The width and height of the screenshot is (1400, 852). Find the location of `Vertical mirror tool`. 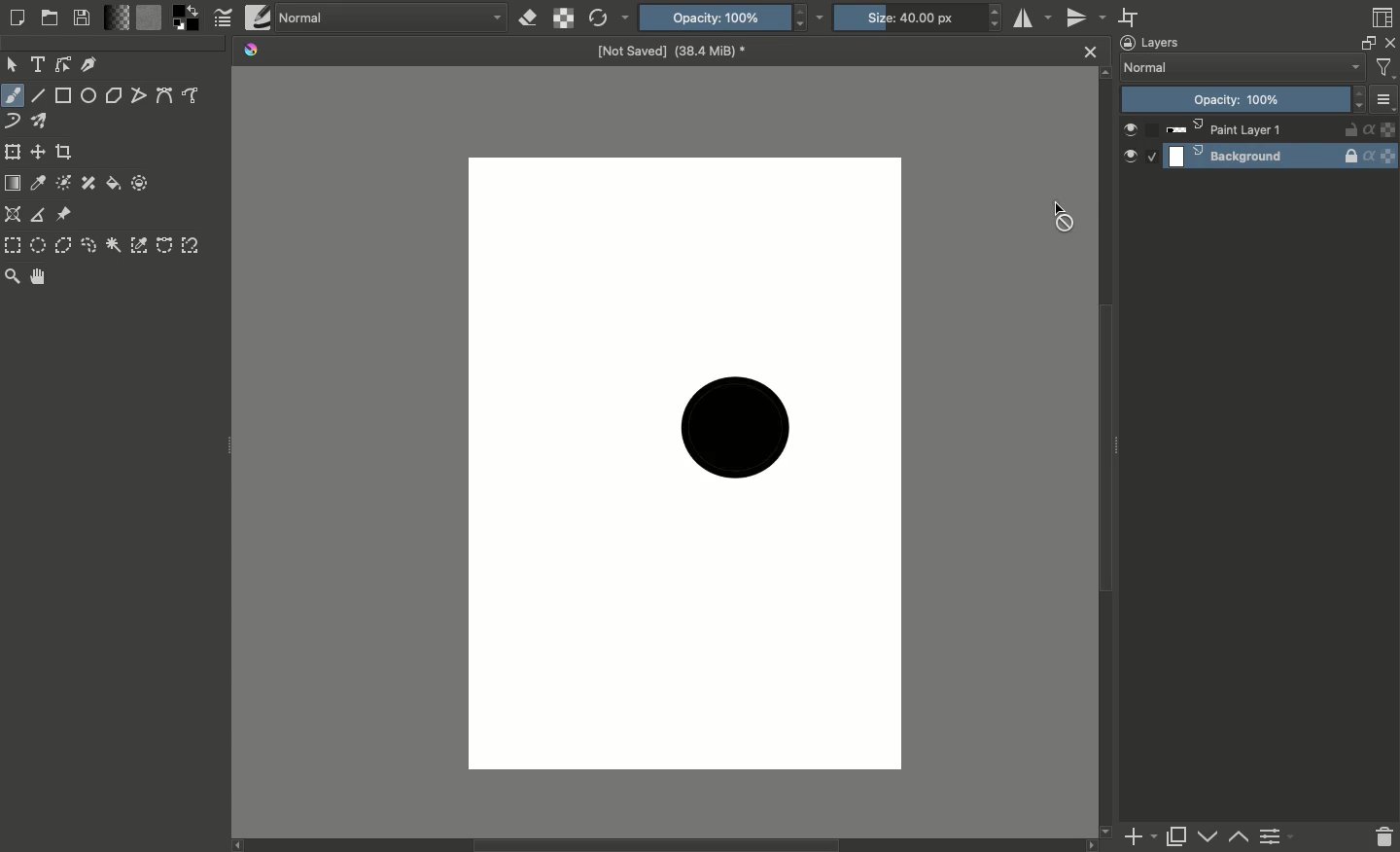

Vertical mirror tool is located at coordinates (1084, 18).